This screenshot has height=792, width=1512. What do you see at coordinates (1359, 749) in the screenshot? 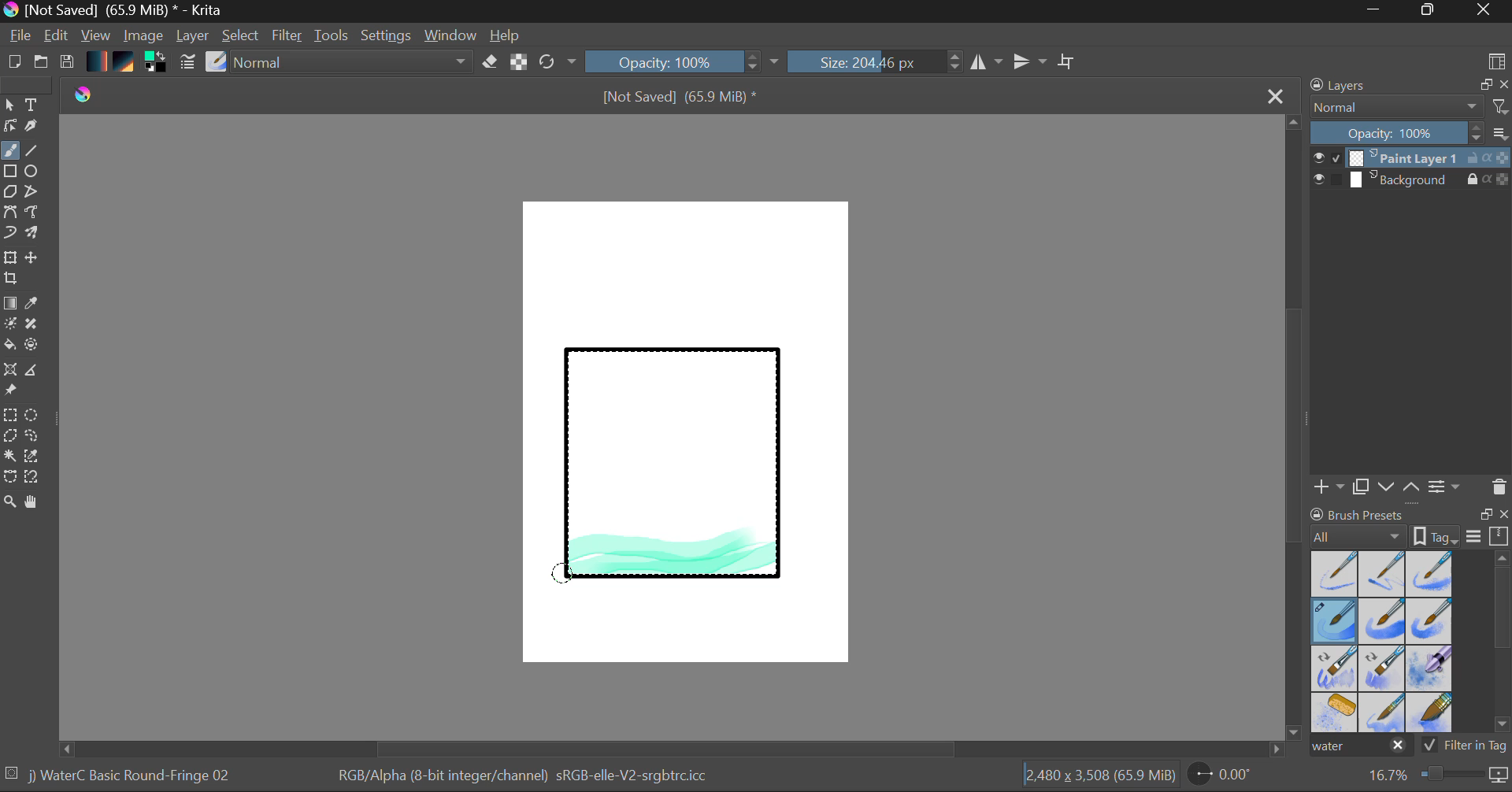
I see `"water" search in brush presets` at bounding box center [1359, 749].